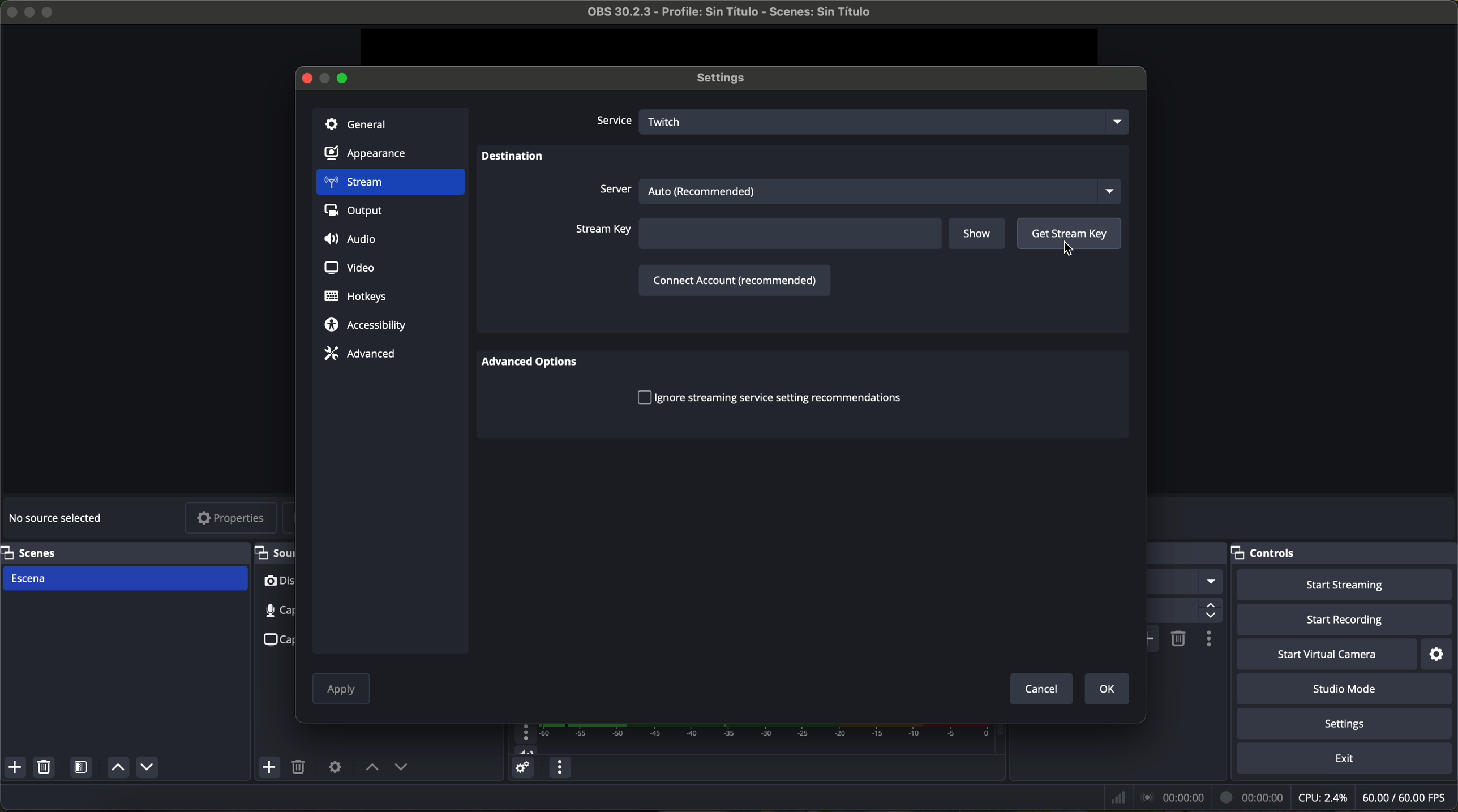  What do you see at coordinates (271, 768) in the screenshot?
I see `add sources` at bounding box center [271, 768].